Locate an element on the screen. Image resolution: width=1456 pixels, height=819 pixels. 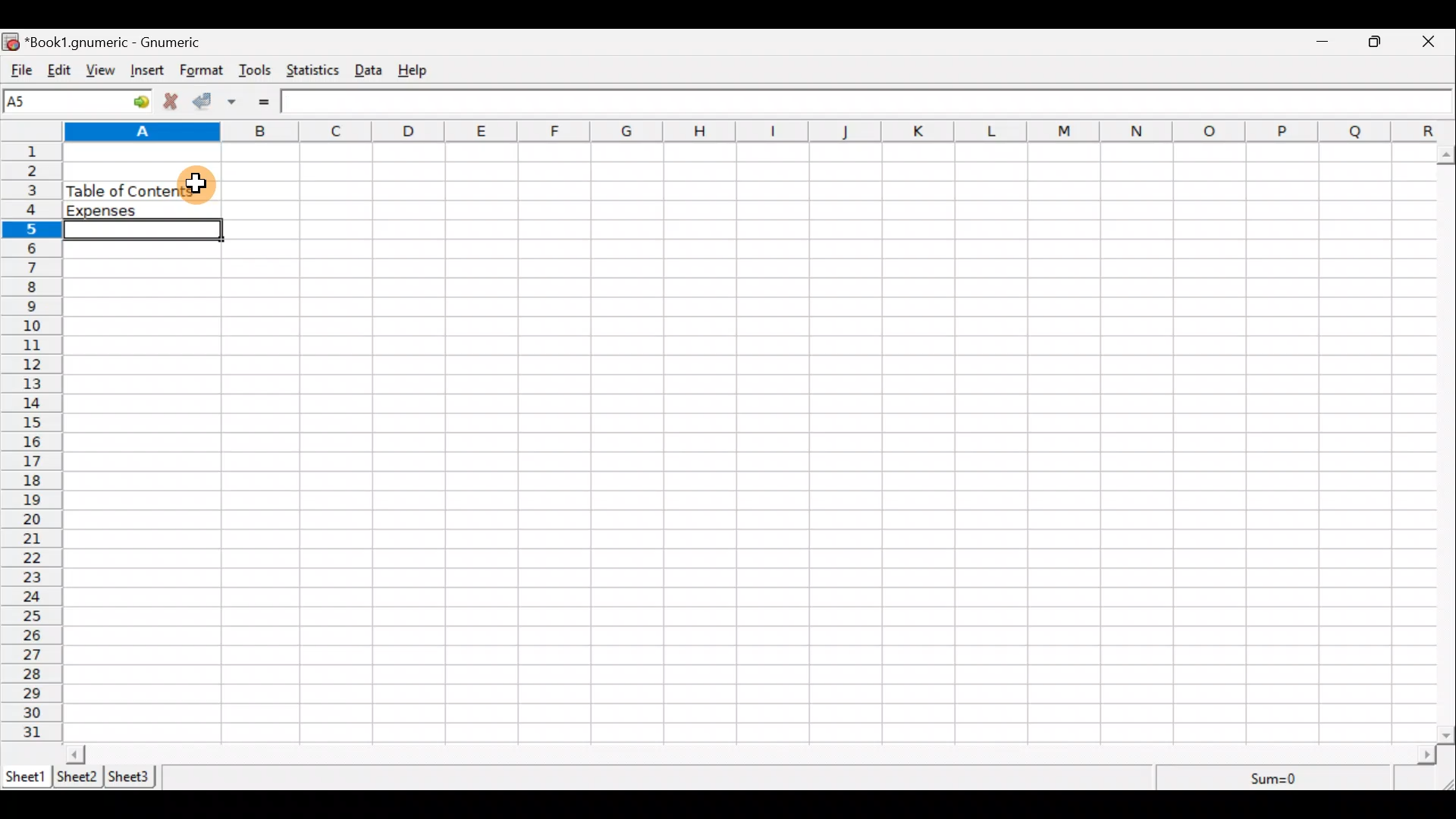
View is located at coordinates (103, 71).